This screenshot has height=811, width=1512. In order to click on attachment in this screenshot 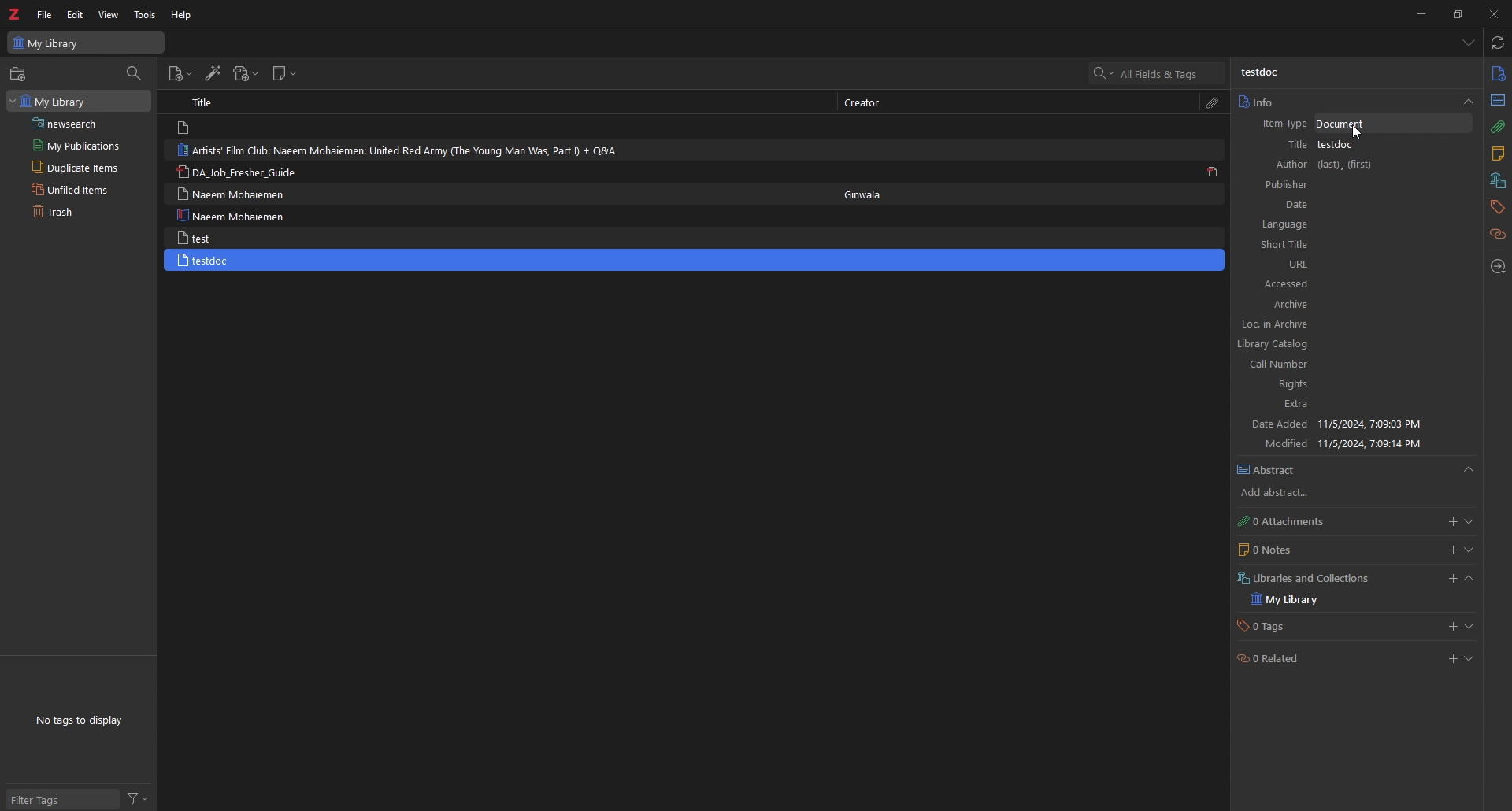, I will do `click(1499, 128)`.